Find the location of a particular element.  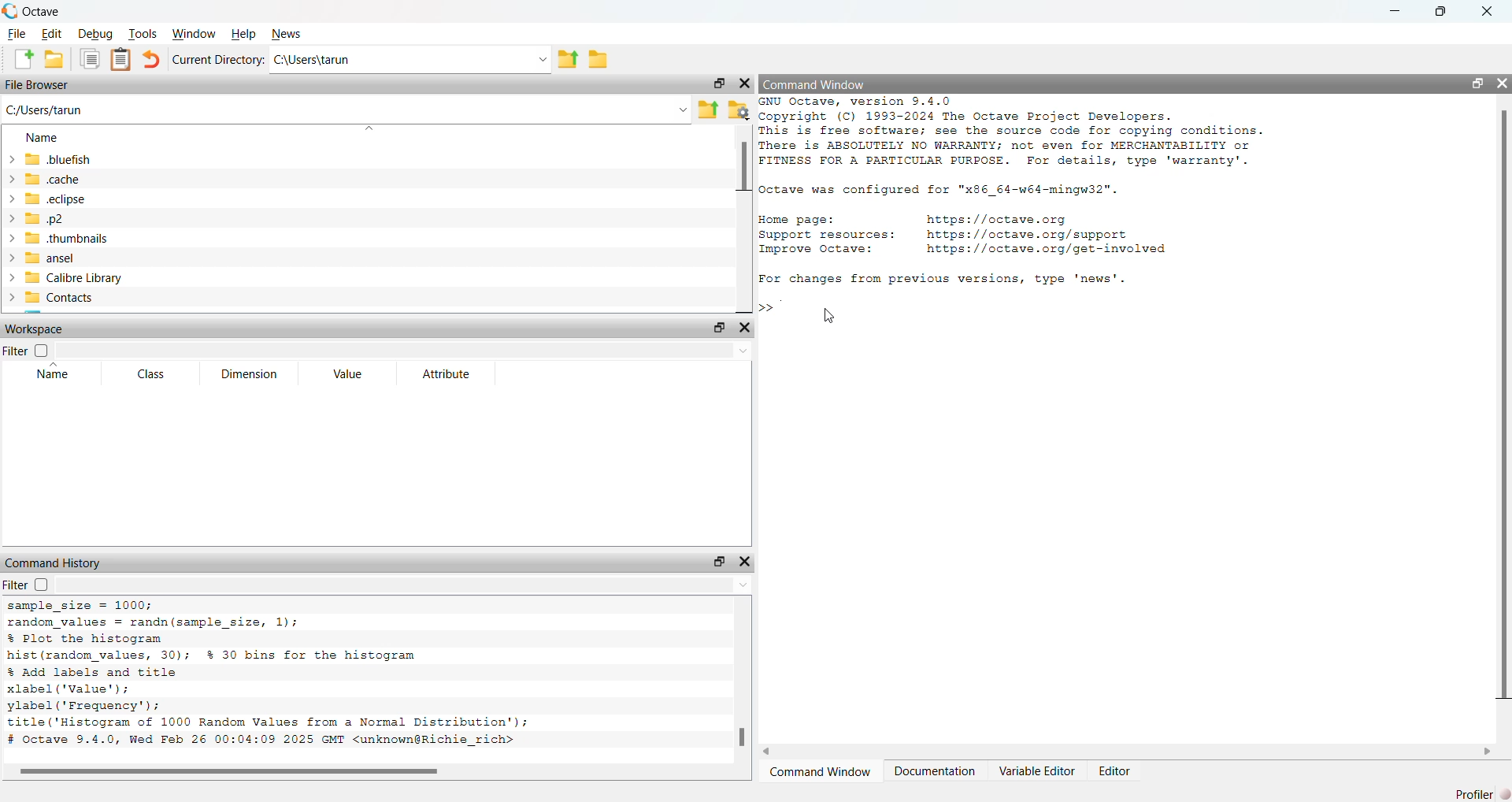

sample_size = 1000;
random_values = randn(sample_size, 1);

% Plot the histogram

hist (random_values, 30); % 30 bins for the histogram

% Add labels and title

xlabel ('Value');

ylabel (*Frequency') ;

title (‘Histogram of 1000 Random Values from a Normal Distribution’);
# Octave 9.4.0, Wed Feb 26 00:04:09 2025 GMT <unknown@Richie_rich> is located at coordinates (269, 677).